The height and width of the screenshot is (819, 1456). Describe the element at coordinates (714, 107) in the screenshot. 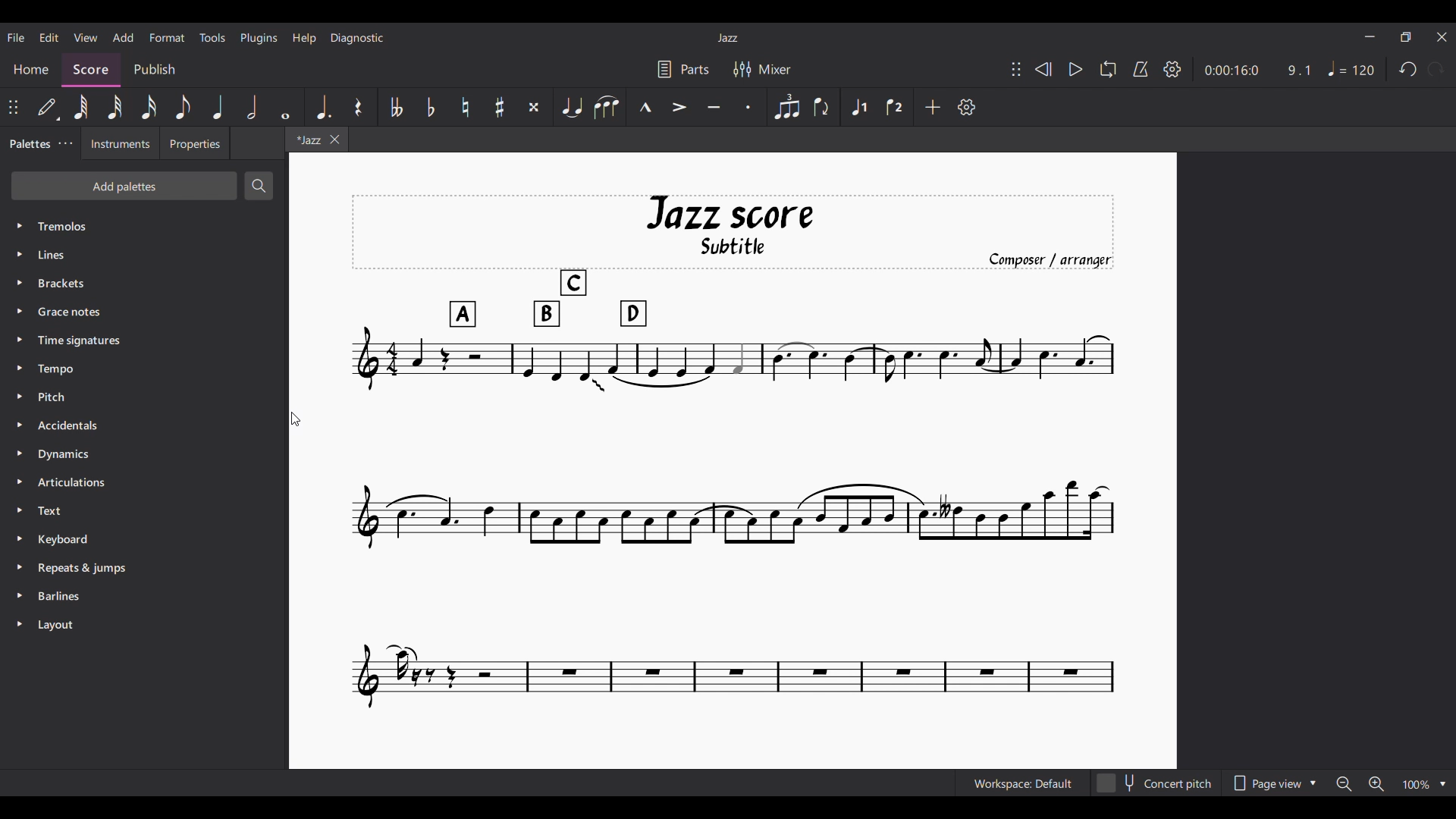

I see `Tenuto` at that location.